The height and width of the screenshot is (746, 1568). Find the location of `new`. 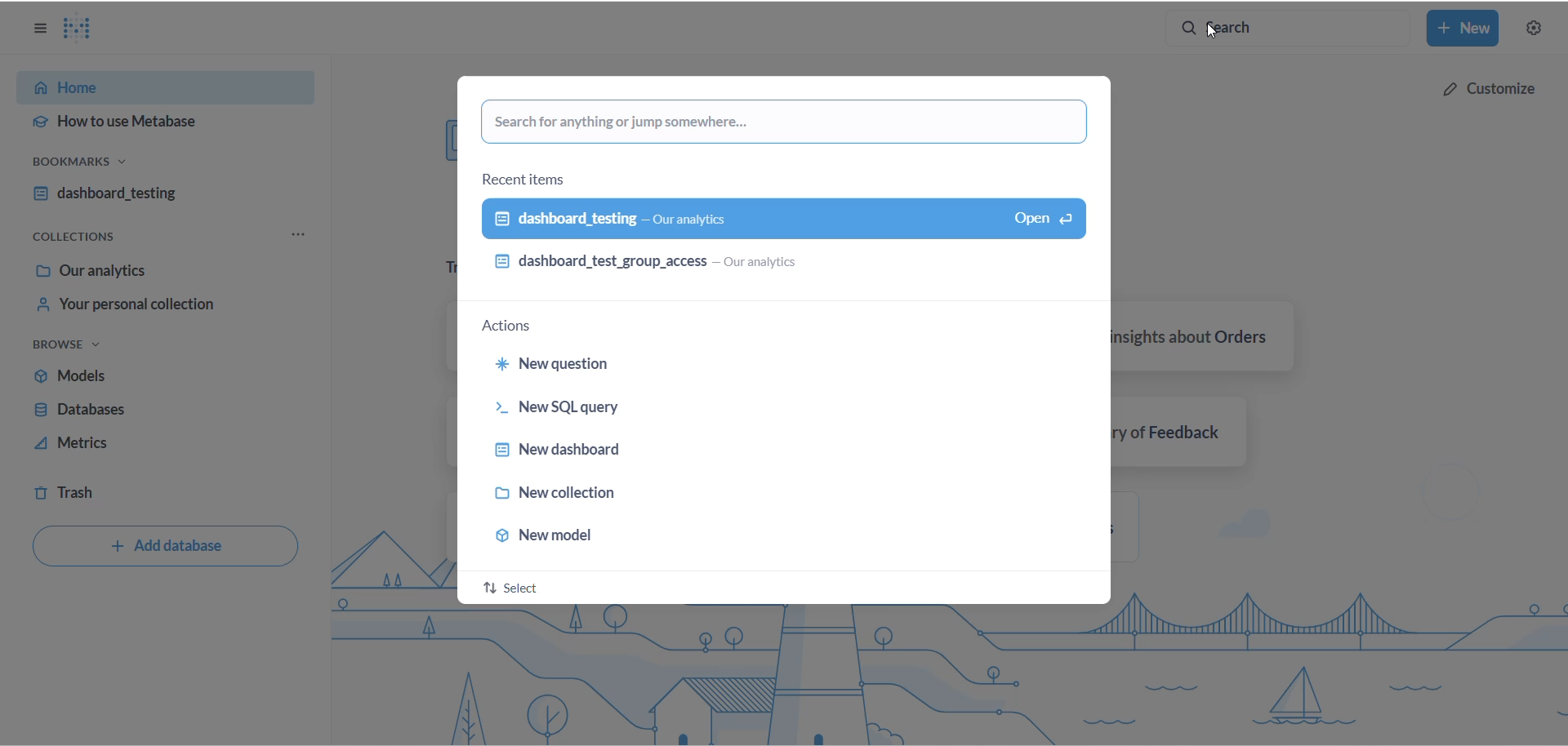

new is located at coordinates (1464, 29).